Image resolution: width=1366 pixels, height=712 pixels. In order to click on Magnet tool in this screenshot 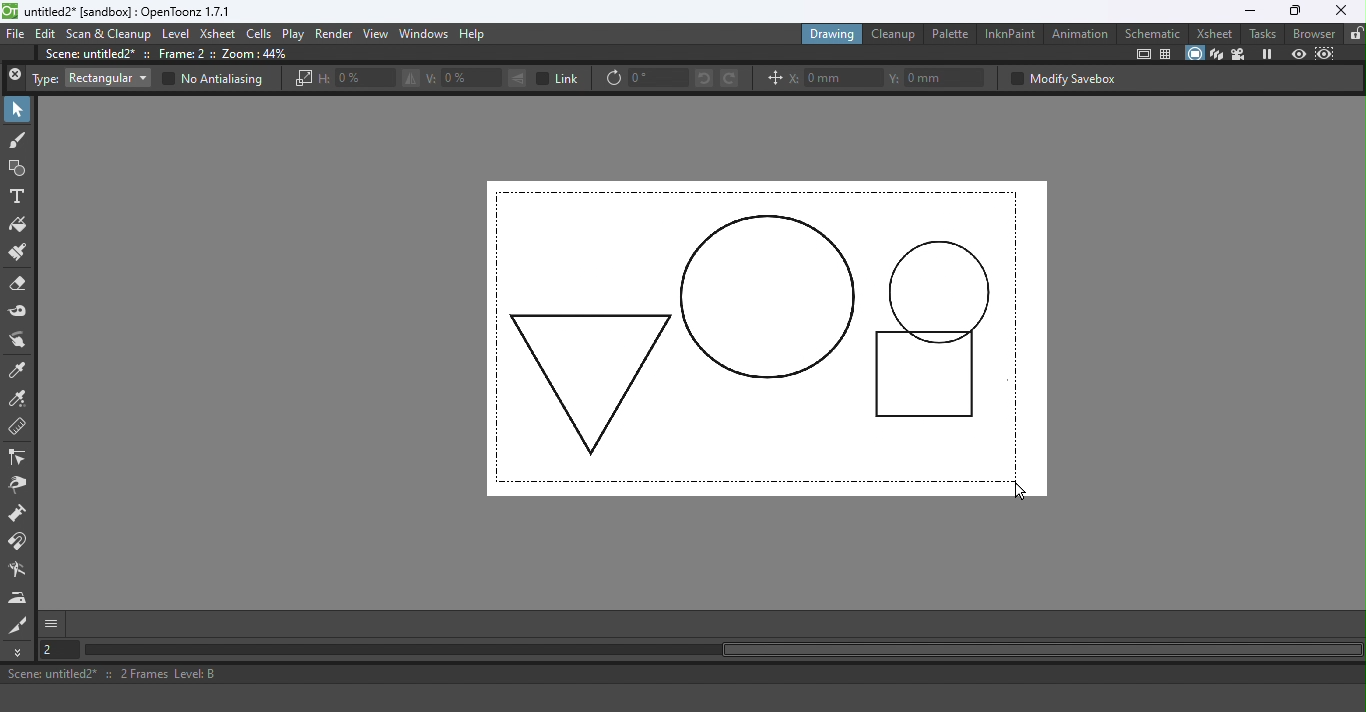, I will do `click(20, 543)`.